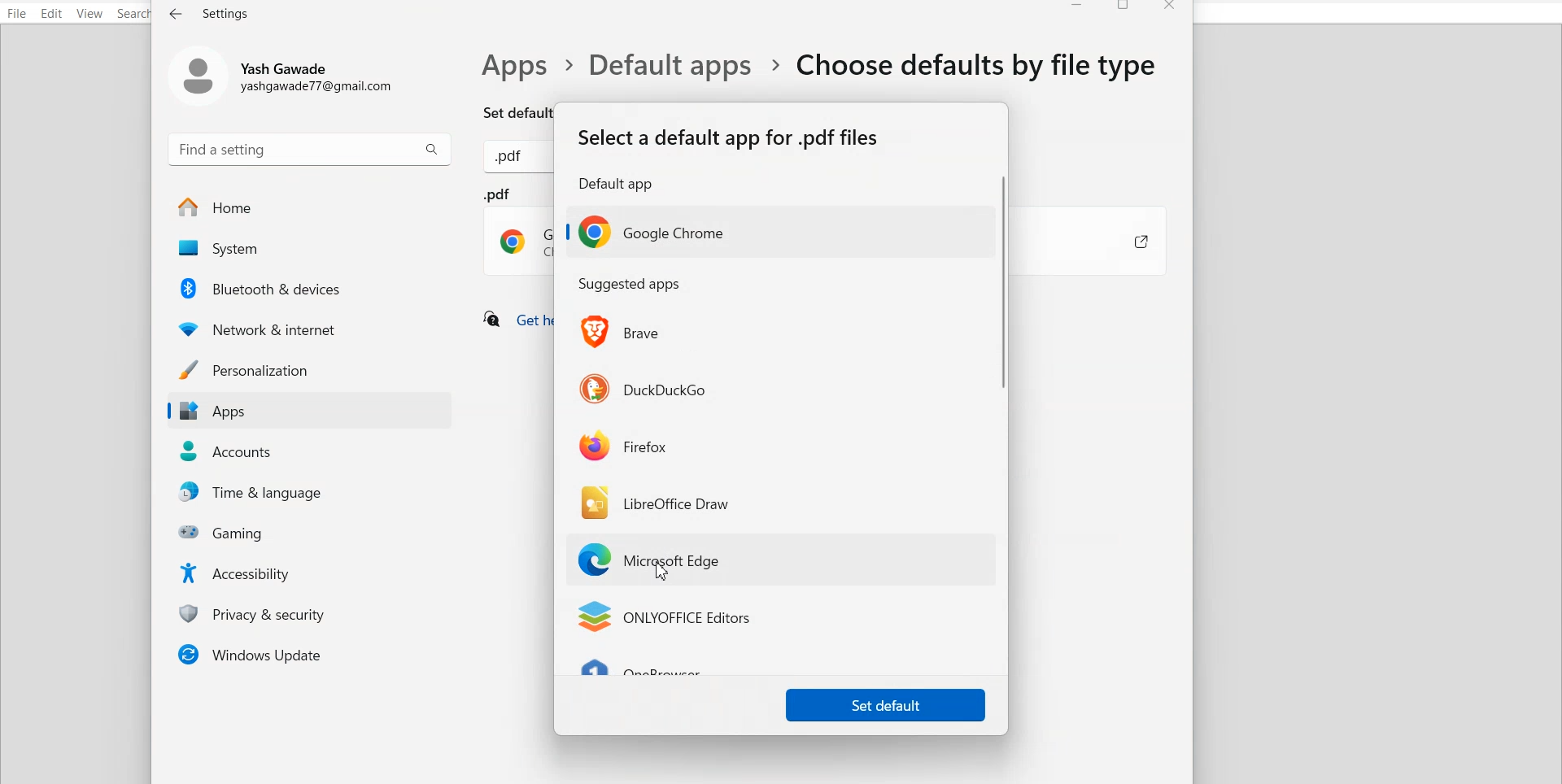 This screenshot has width=1562, height=784. I want to click on Account, so click(287, 73).